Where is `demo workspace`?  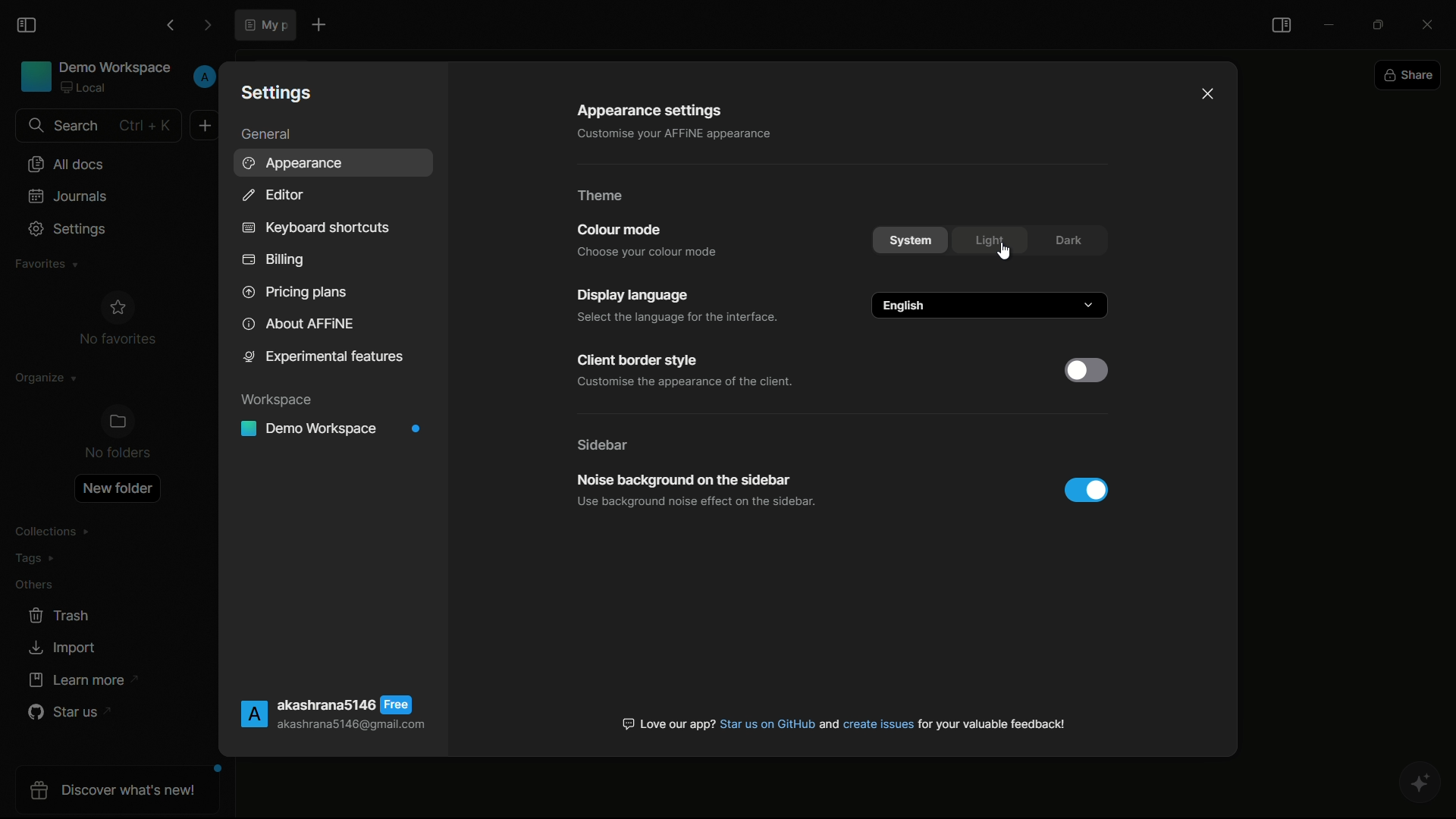
demo workspace is located at coordinates (335, 429).